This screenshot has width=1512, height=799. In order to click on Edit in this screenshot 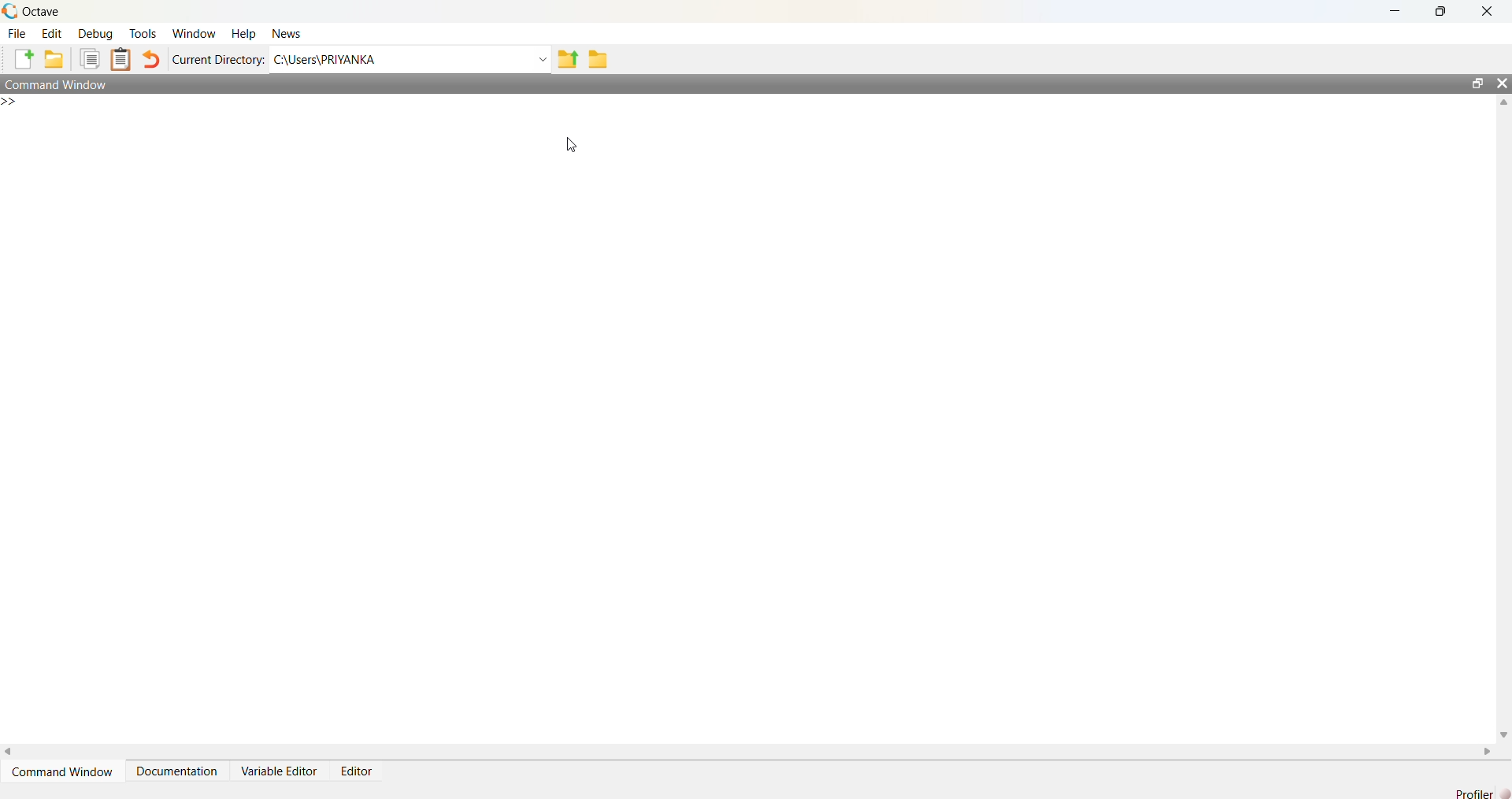, I will do `click(52, 32)`.